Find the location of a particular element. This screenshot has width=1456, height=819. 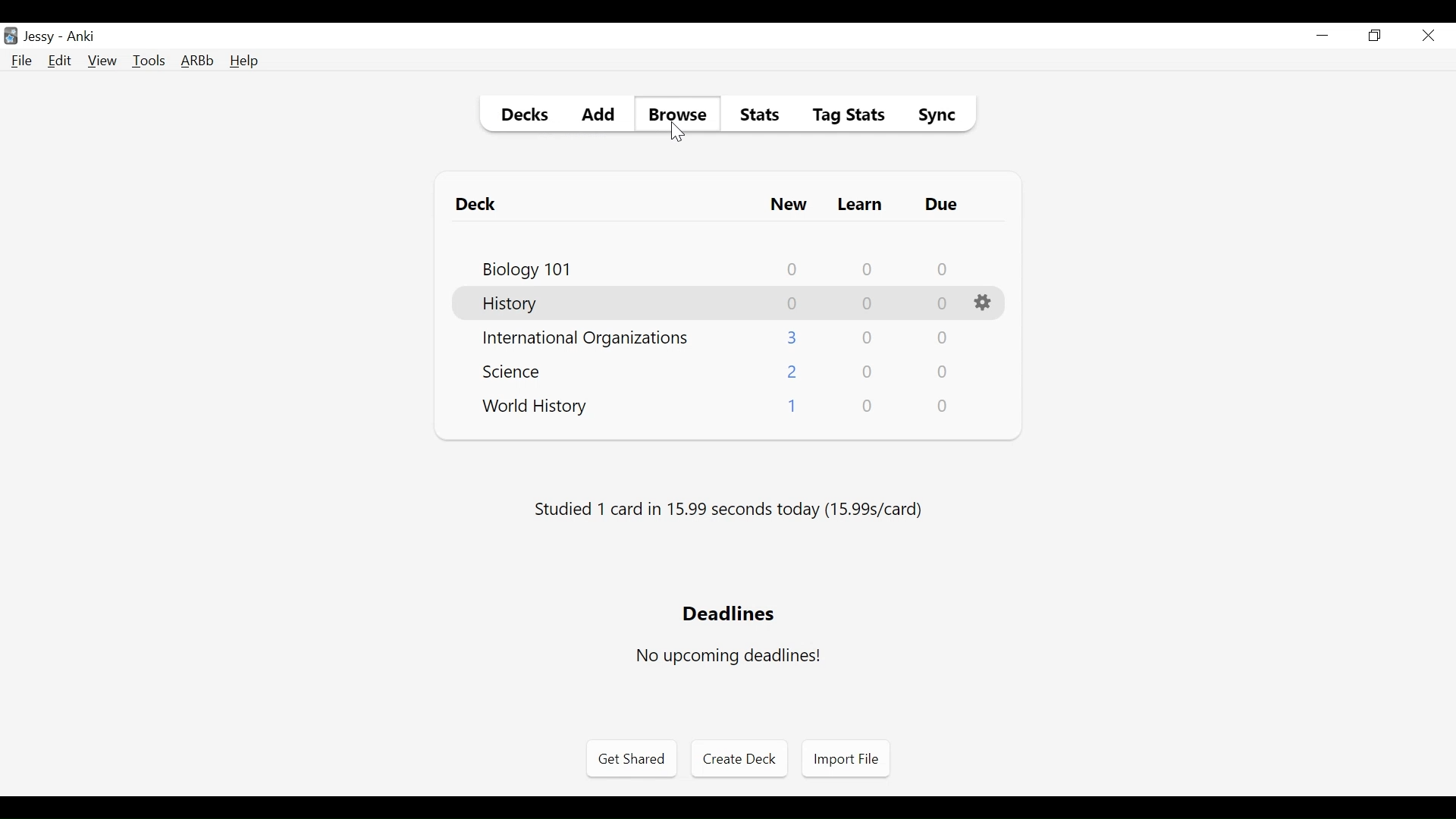

Learn Card Count is located at coordinates (867, 270).